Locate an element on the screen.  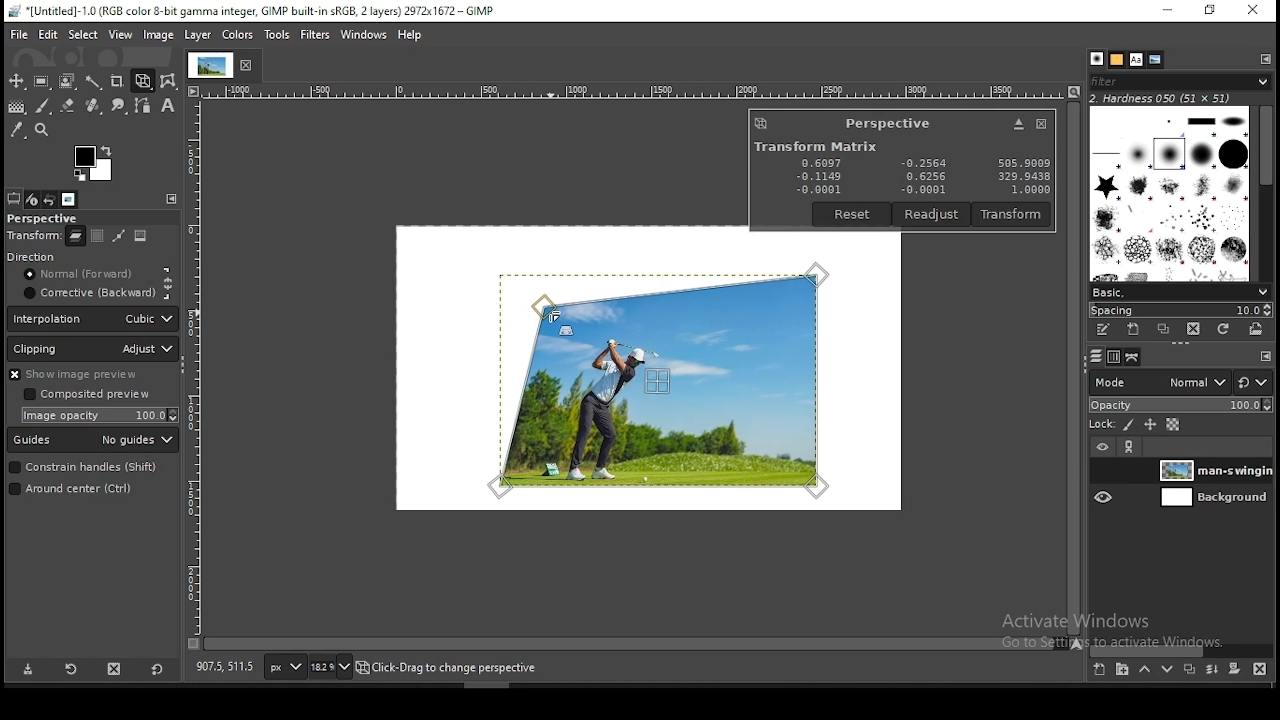
329.9438 is located at coordinates (1025, 177).